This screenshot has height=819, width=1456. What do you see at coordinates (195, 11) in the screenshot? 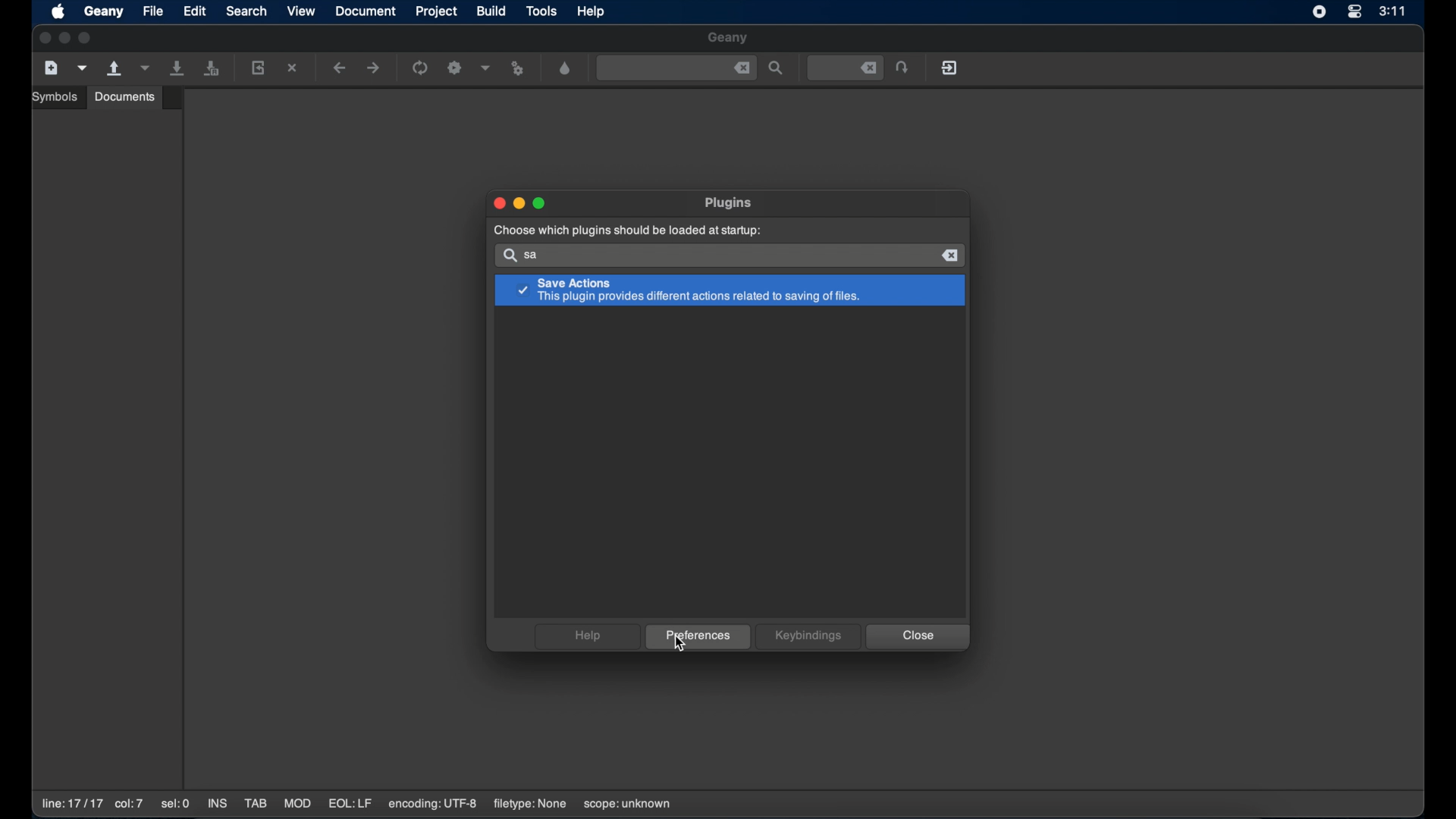
I see `edit` at bounding box center [195, 11].